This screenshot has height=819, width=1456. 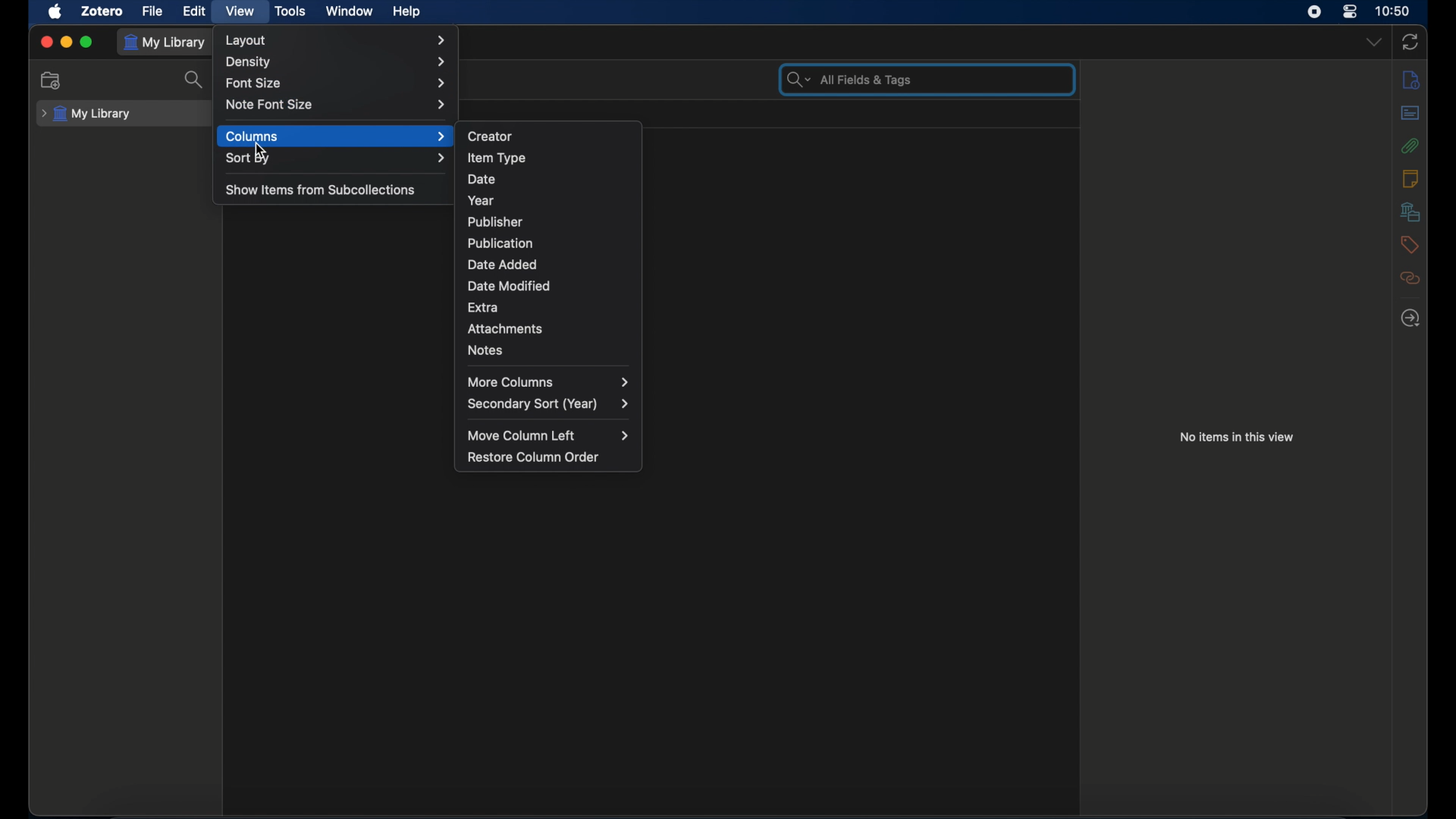 What do you see at coordinates (497, 158) in the screenshot?
I see `item type` at bounding box center [497, 158].